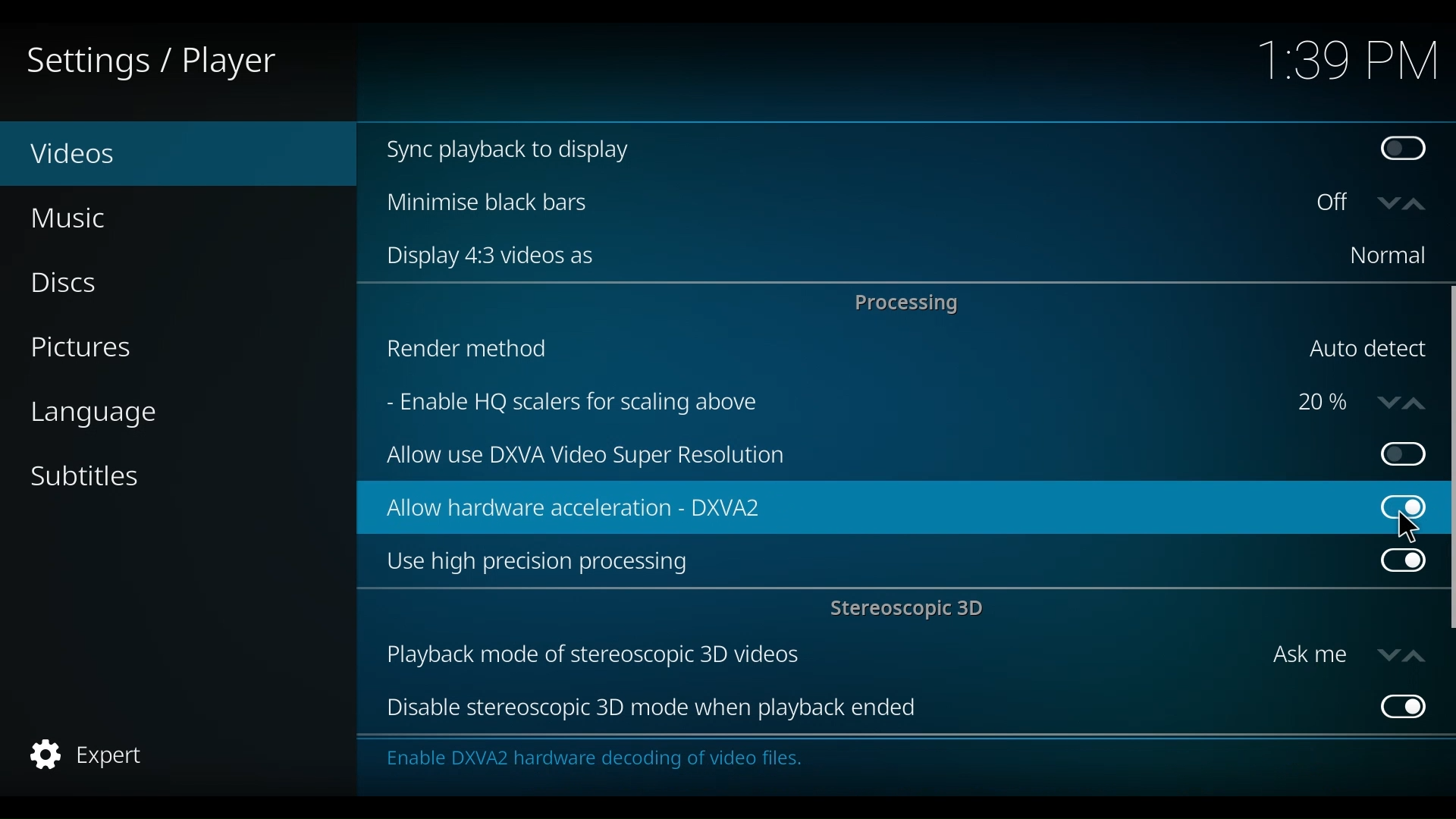 Image resolution: width=1456 pixels, height=819 pixels. What do you see at coordinates (835, 202) in the screenshot?
I see `Minimise black bars` at bounding box center [835, 202].